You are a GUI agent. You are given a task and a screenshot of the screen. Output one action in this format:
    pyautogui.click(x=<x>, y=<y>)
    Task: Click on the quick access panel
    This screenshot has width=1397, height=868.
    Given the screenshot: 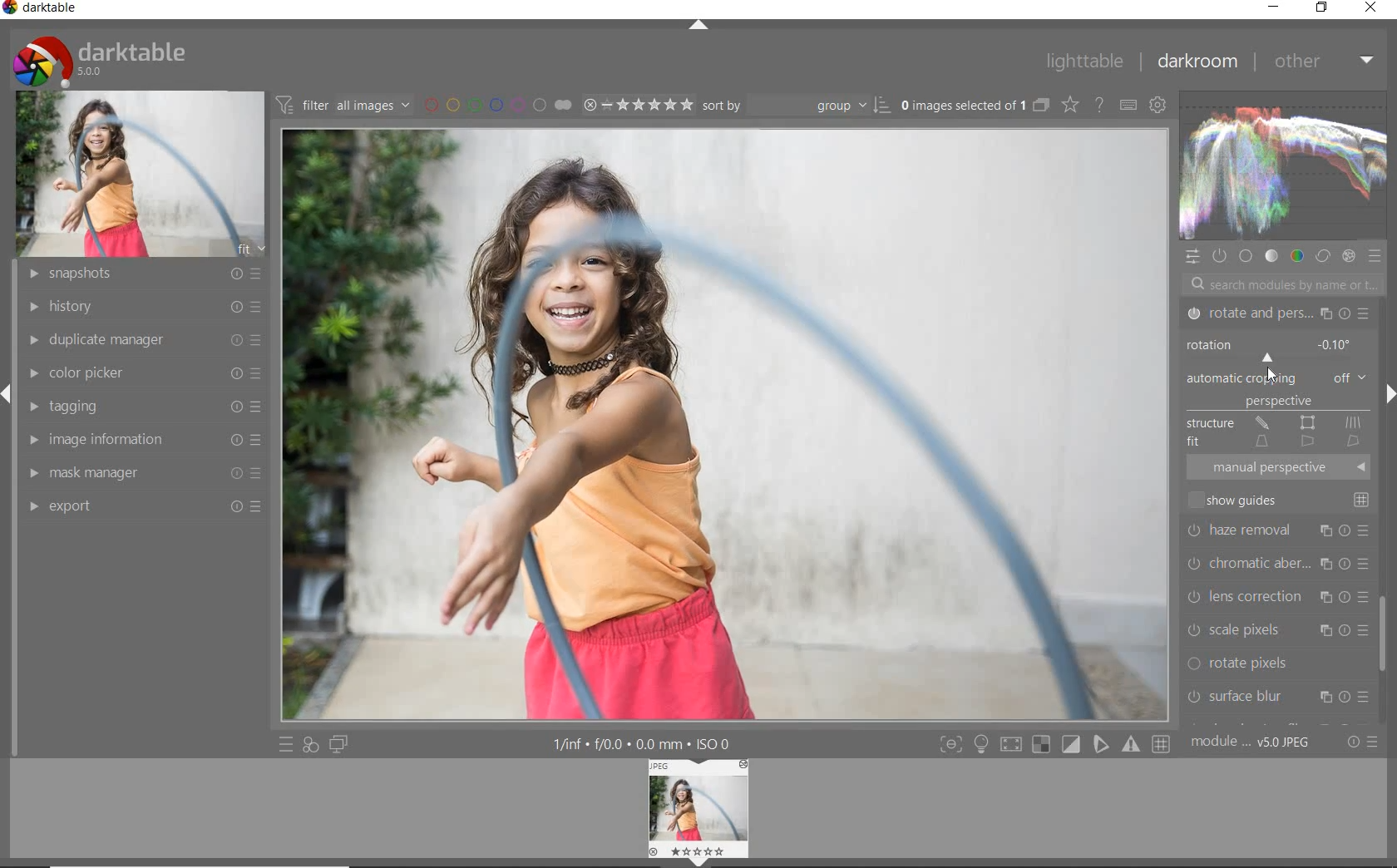 What is the action you would take?
    pyautogui.click(x=1190, y=259)
    